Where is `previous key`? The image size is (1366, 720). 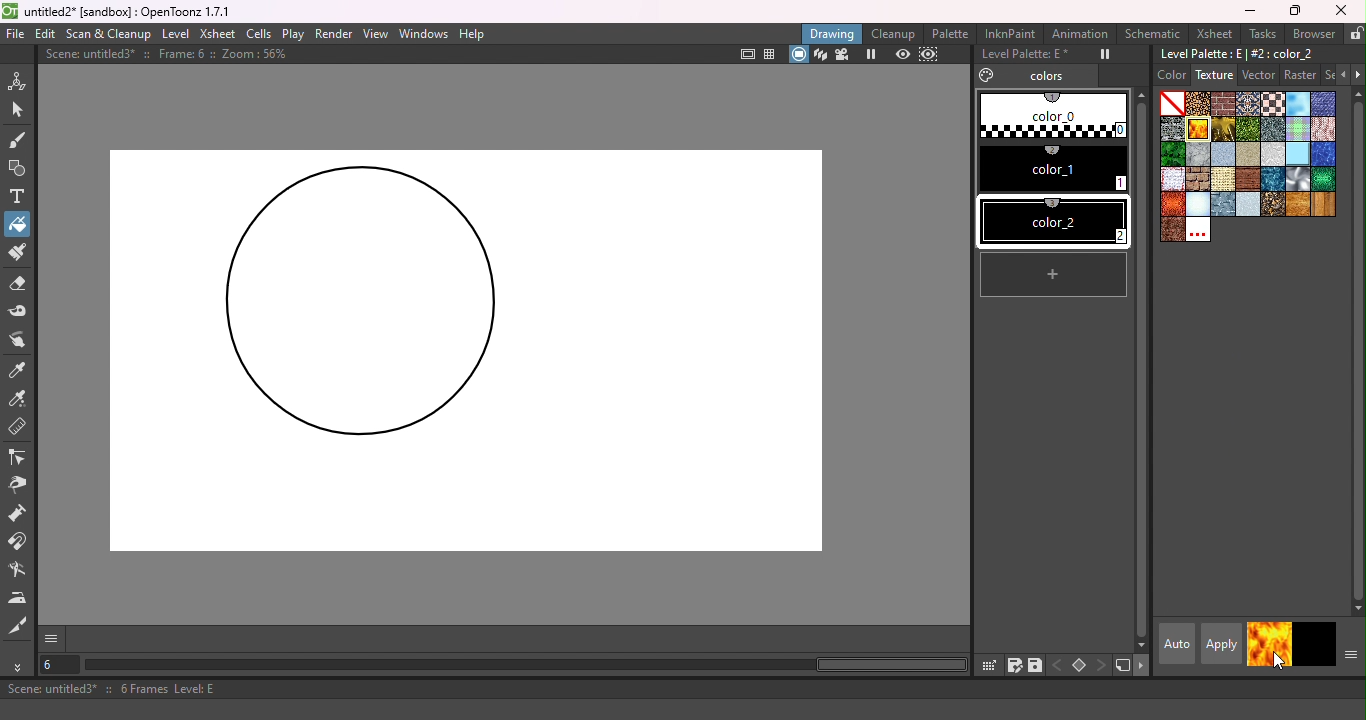
previous key is located at coordinates (1058, 663).